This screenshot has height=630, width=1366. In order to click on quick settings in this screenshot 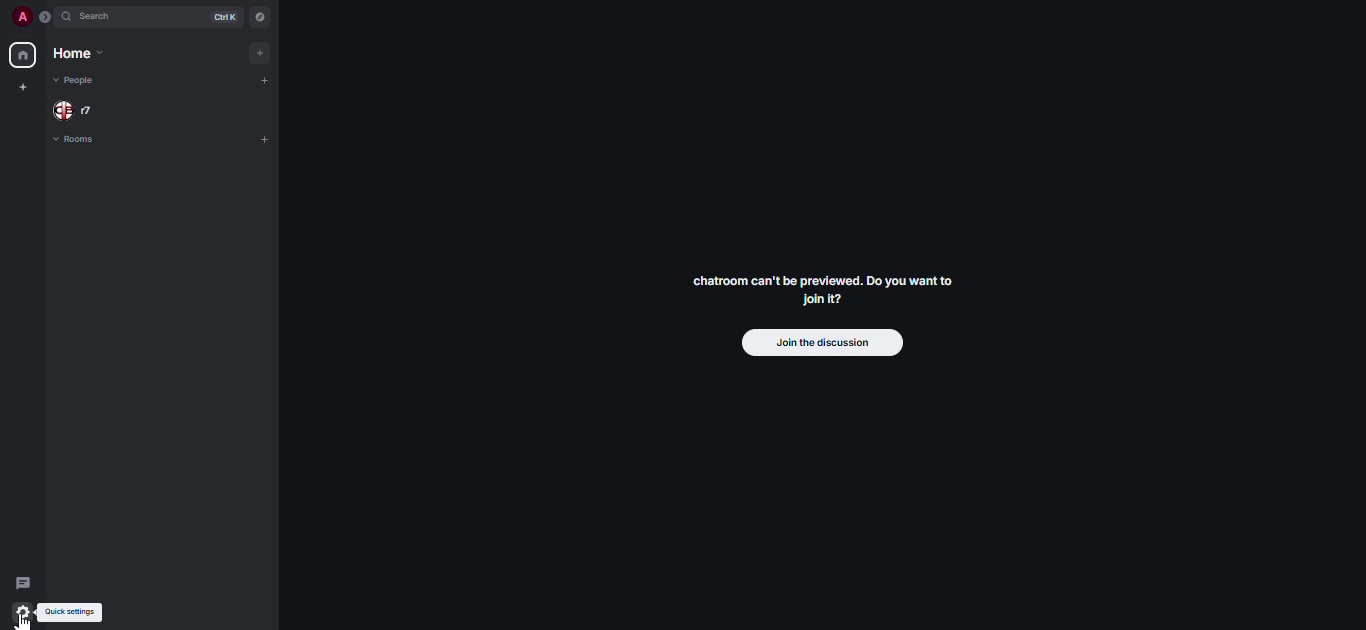, I will do `click(22, 613)`.